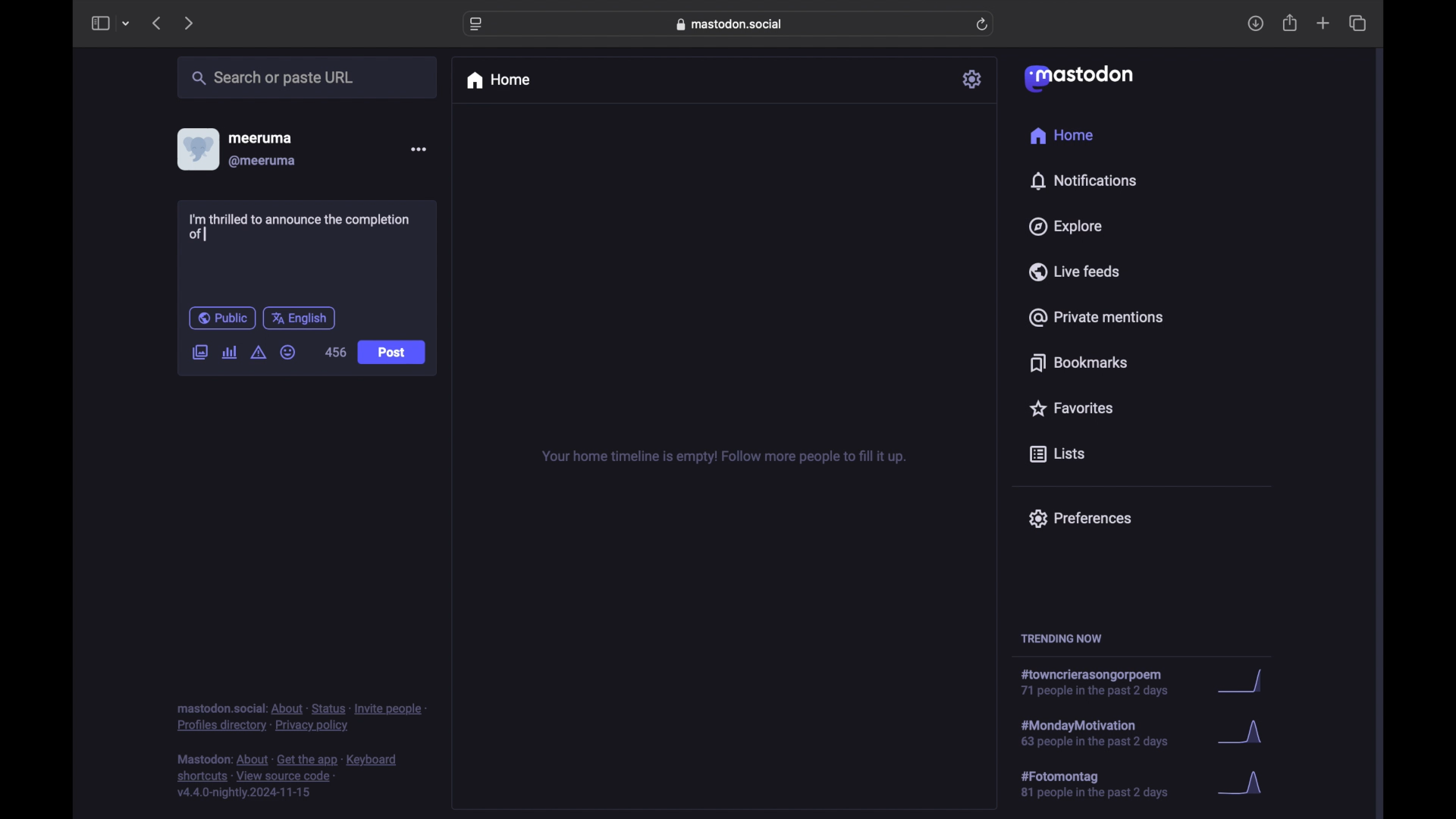 The image size is (1456, 819). Describe the element at coordinates (196, 149) in the screenshot. I see `display picture` at that location.